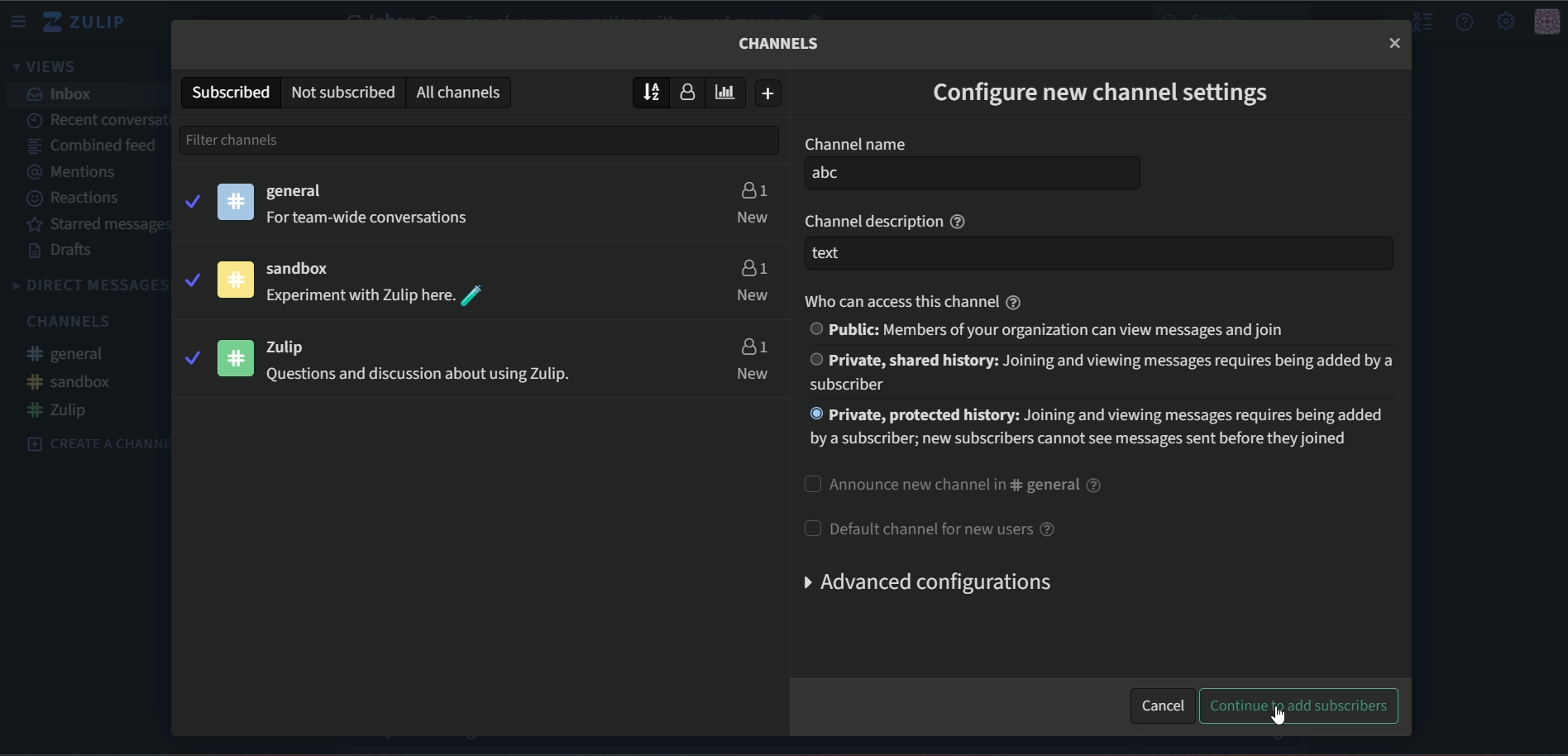  I want to click on combined feed, so click(92, 147).